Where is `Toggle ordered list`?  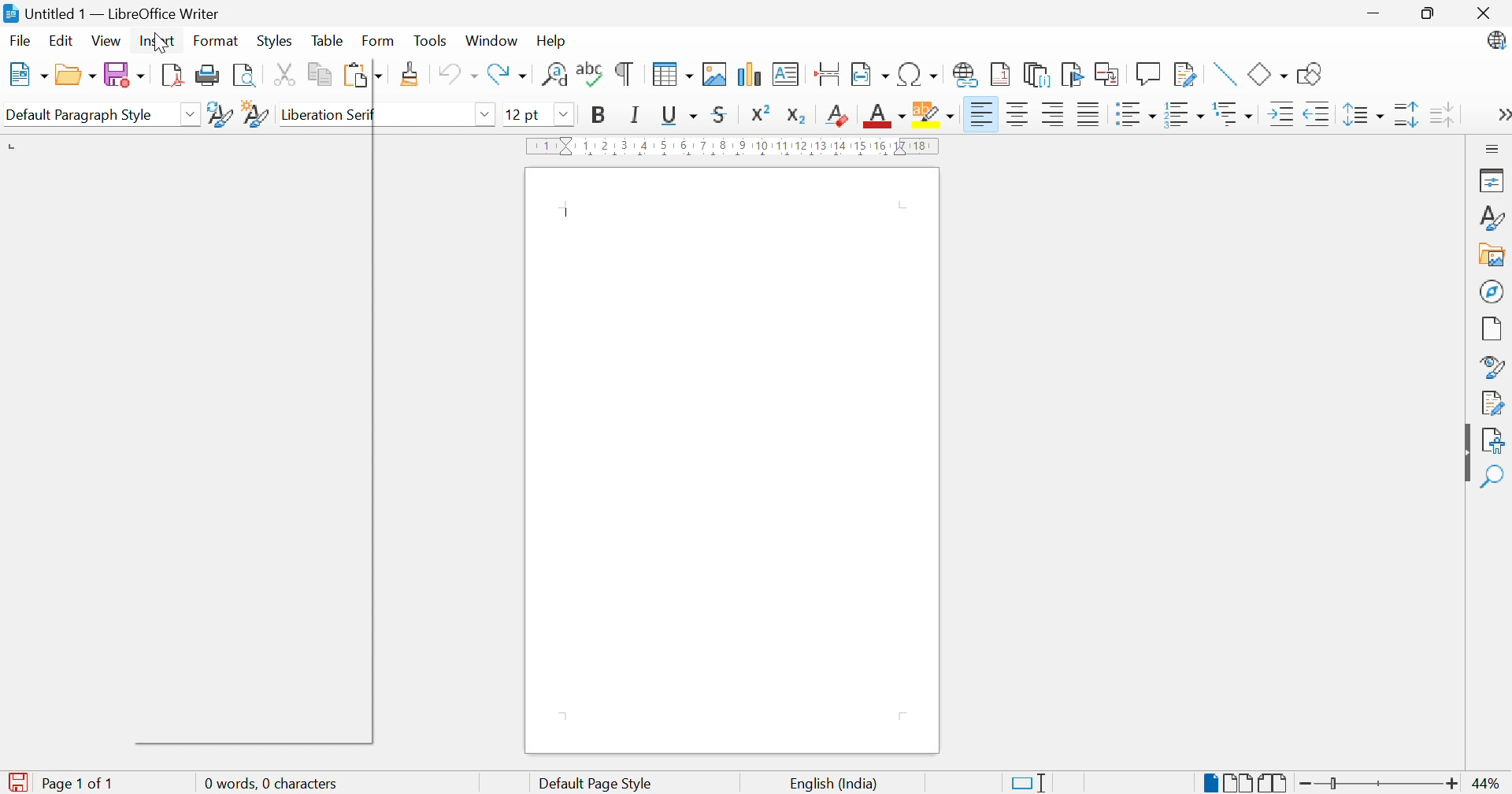
Toggle ordered list is located at coordinates (1182, 116).